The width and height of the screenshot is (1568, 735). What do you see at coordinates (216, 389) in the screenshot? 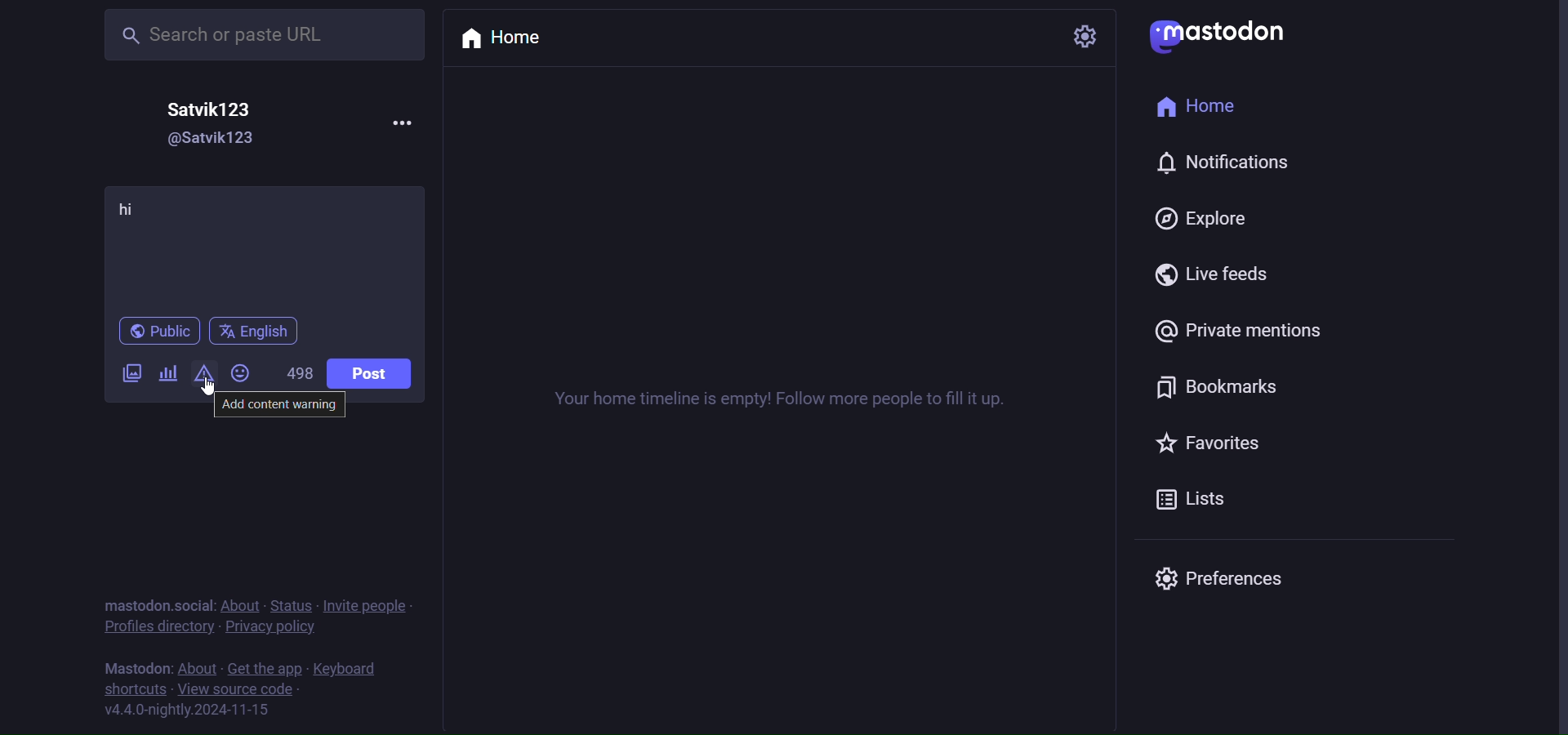
I see `cursor` at bounding box center [216, 389].